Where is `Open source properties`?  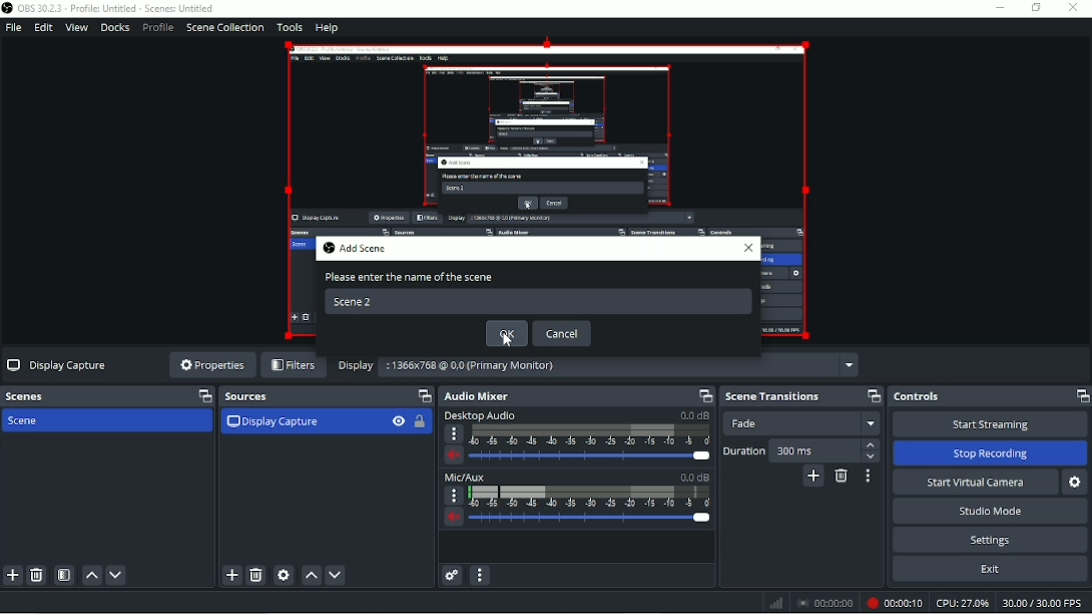 Open source properties is located at coordinates (284, 575).